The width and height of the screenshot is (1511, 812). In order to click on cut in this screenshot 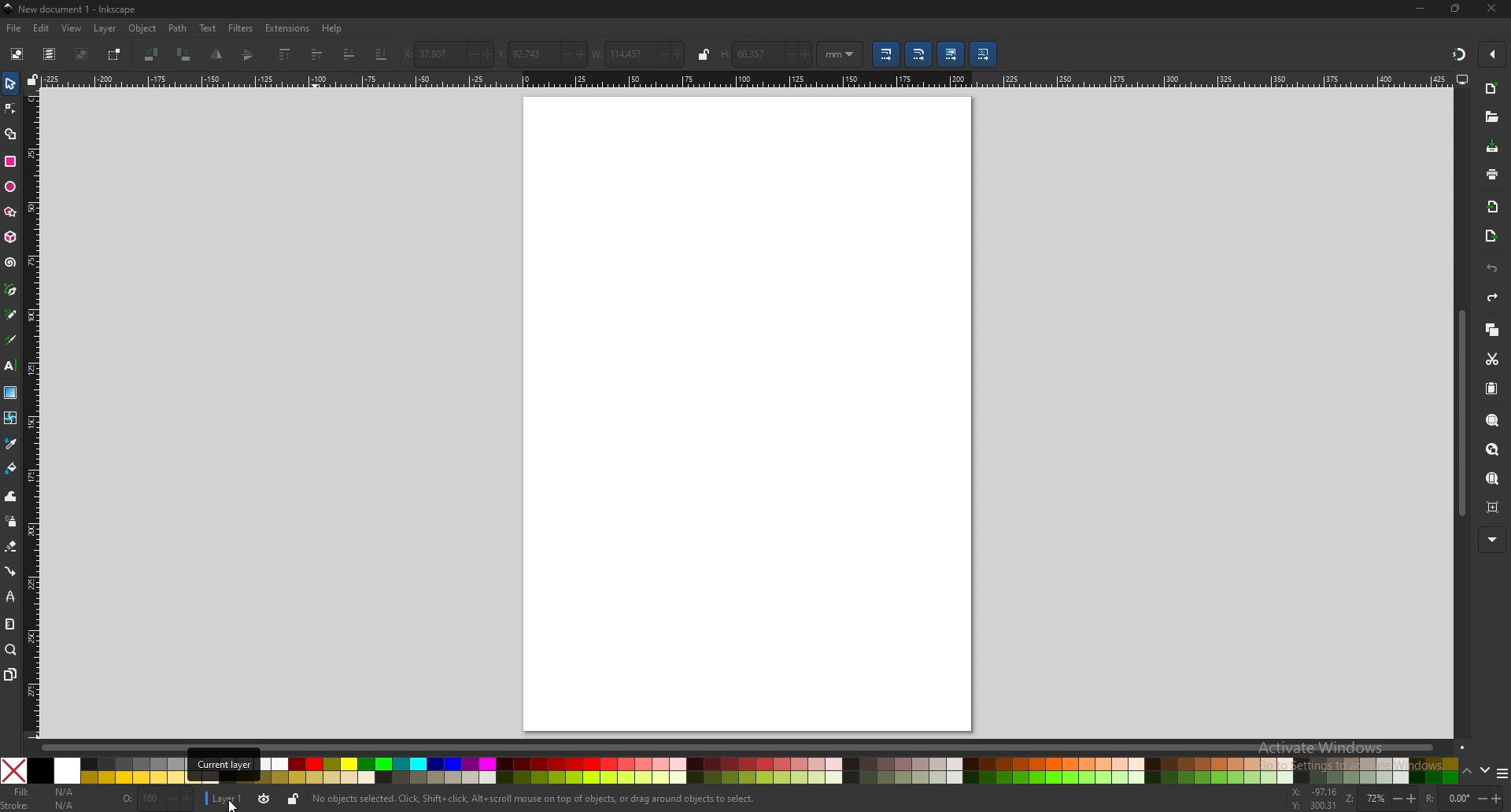, I will do `click(1493, 360)`.